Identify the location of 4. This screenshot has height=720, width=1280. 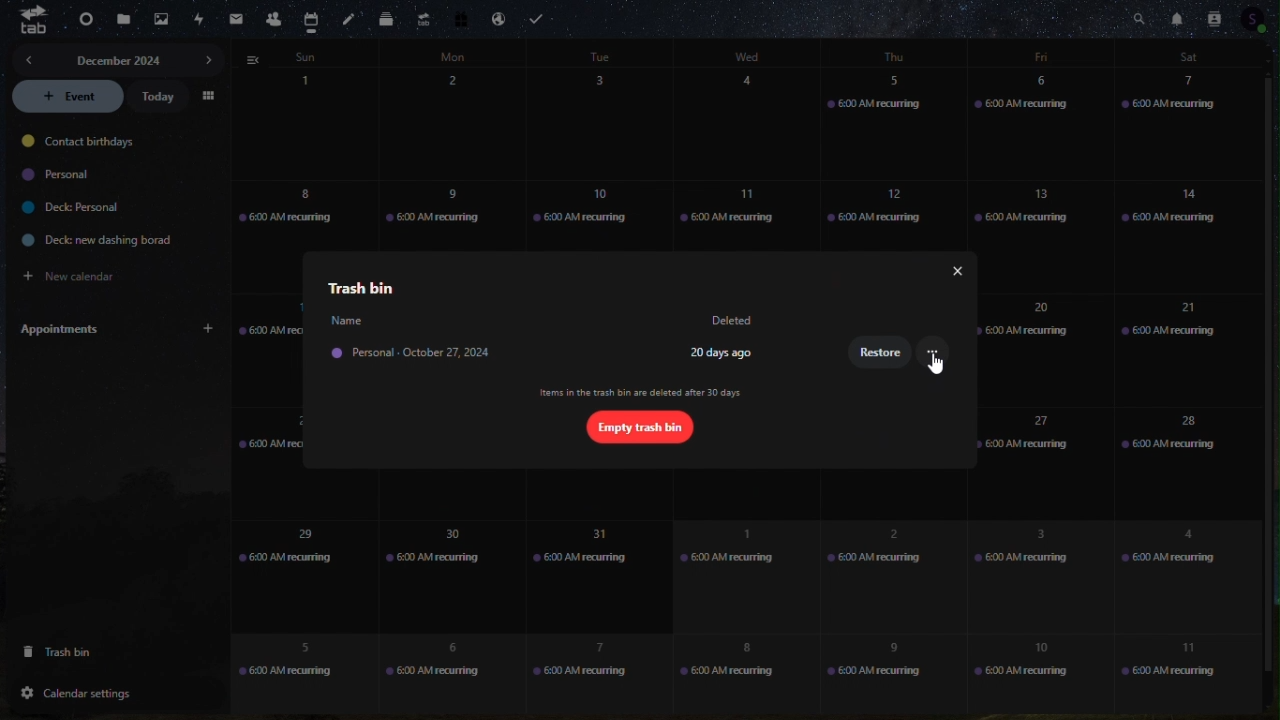
(759, 123).